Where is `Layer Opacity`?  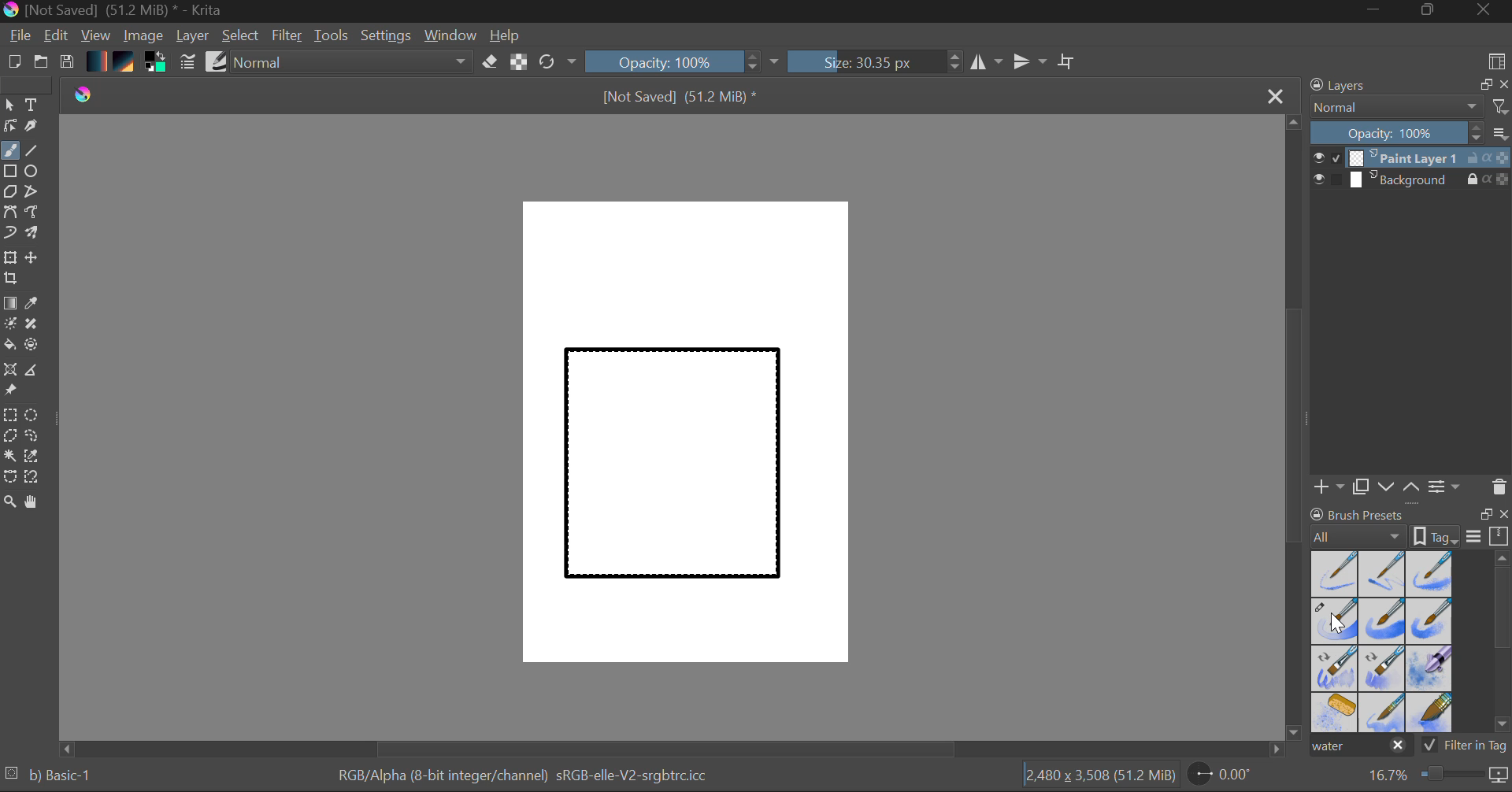
Layer Opacity is located at coordinates (1412, 134).